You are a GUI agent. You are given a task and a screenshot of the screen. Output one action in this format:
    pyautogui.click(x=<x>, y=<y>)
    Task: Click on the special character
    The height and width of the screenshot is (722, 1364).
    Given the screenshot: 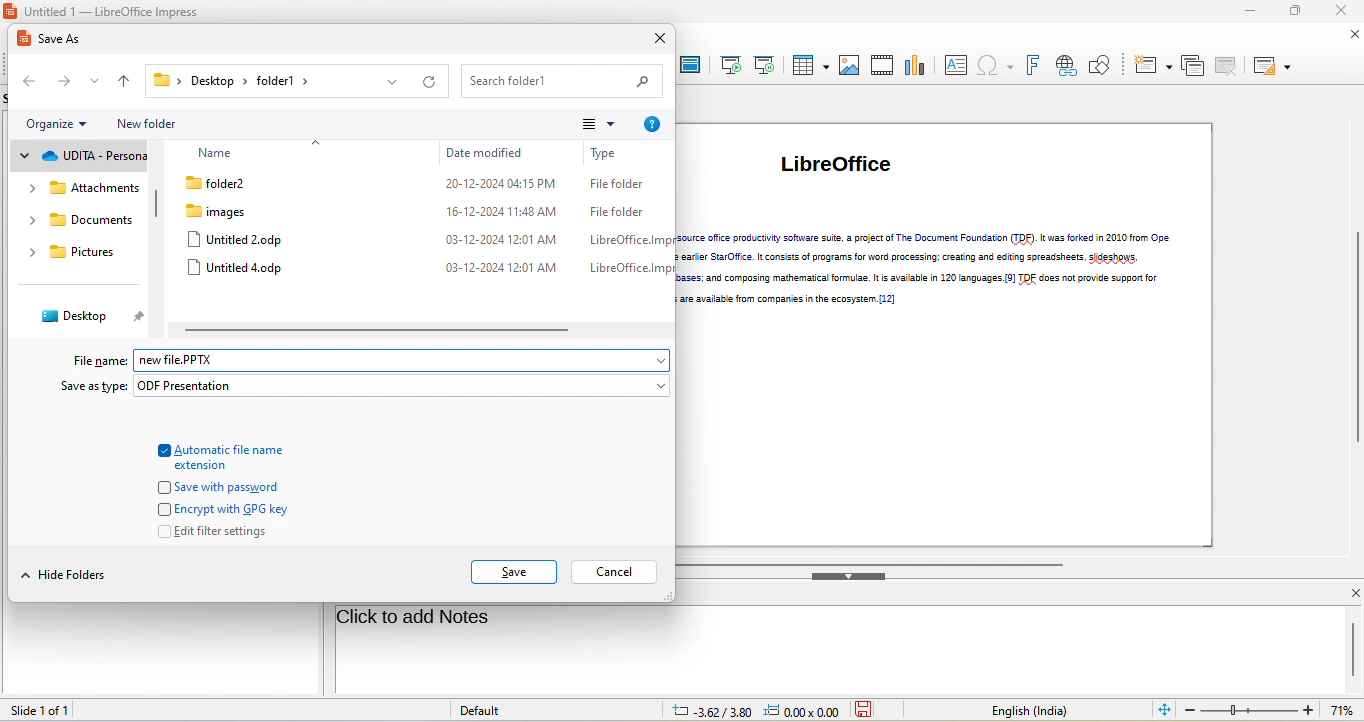 What is the action you would take?
    pyautogui.click(x=994, y=67)
    